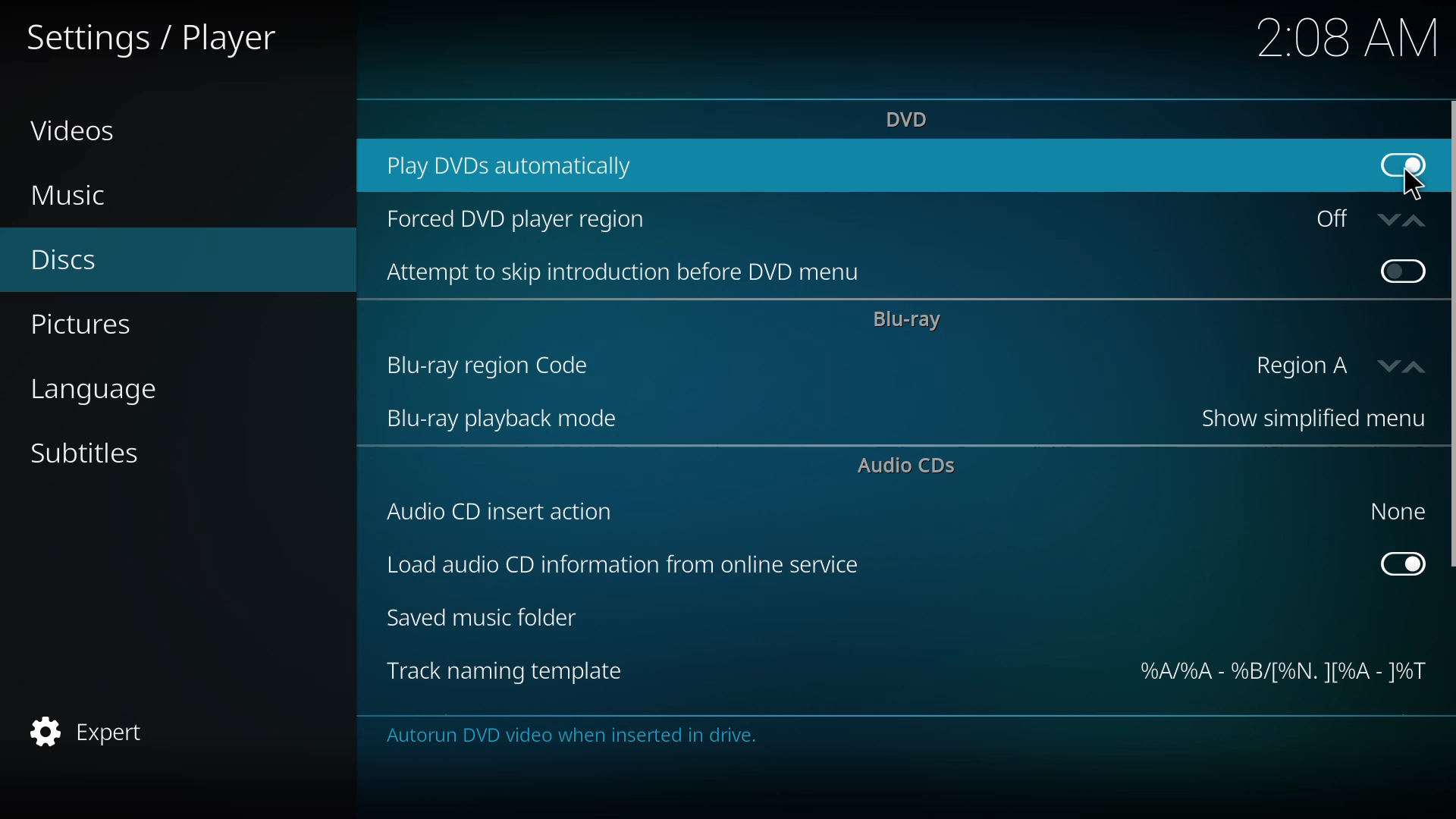 This screenshot has width=1456, height=819. What do you see at coordinates (1400, 269) in the screenshot?
I see `click to enable` at bounding box center [1400, 269].